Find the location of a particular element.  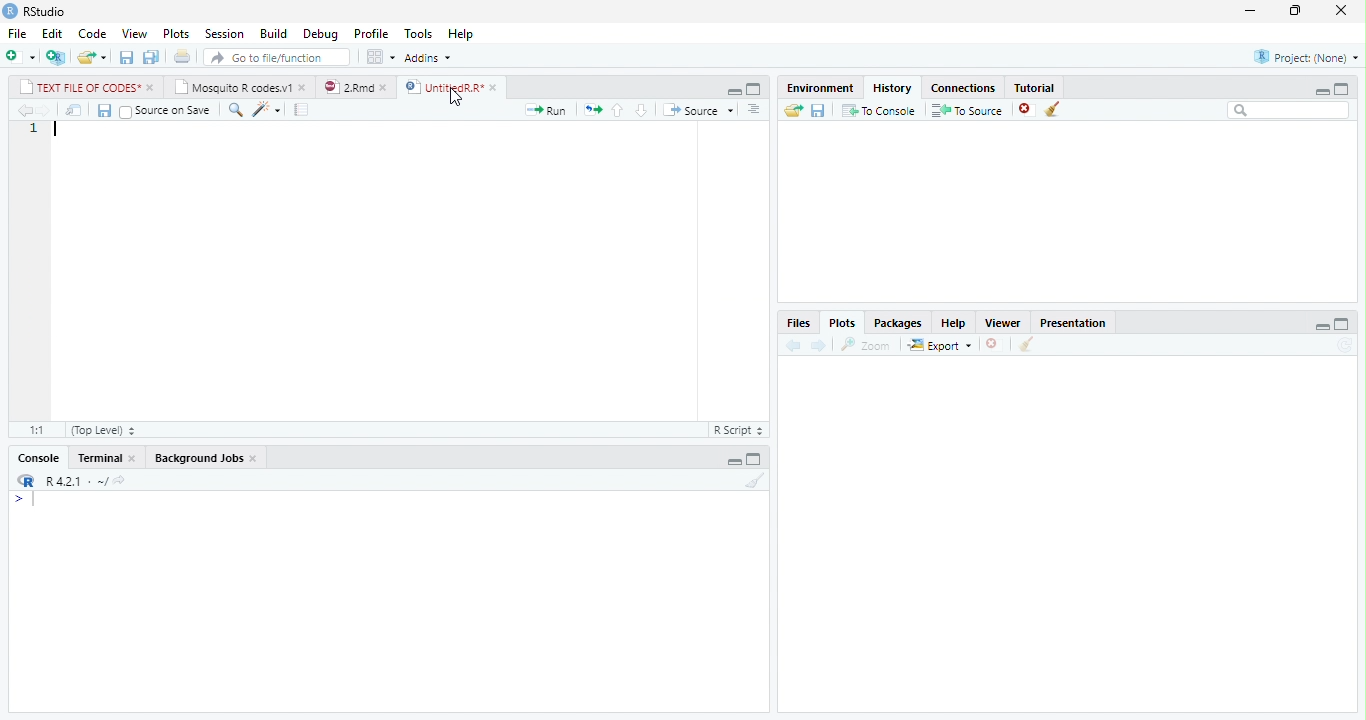

save all is located at coordinates (151, 58).